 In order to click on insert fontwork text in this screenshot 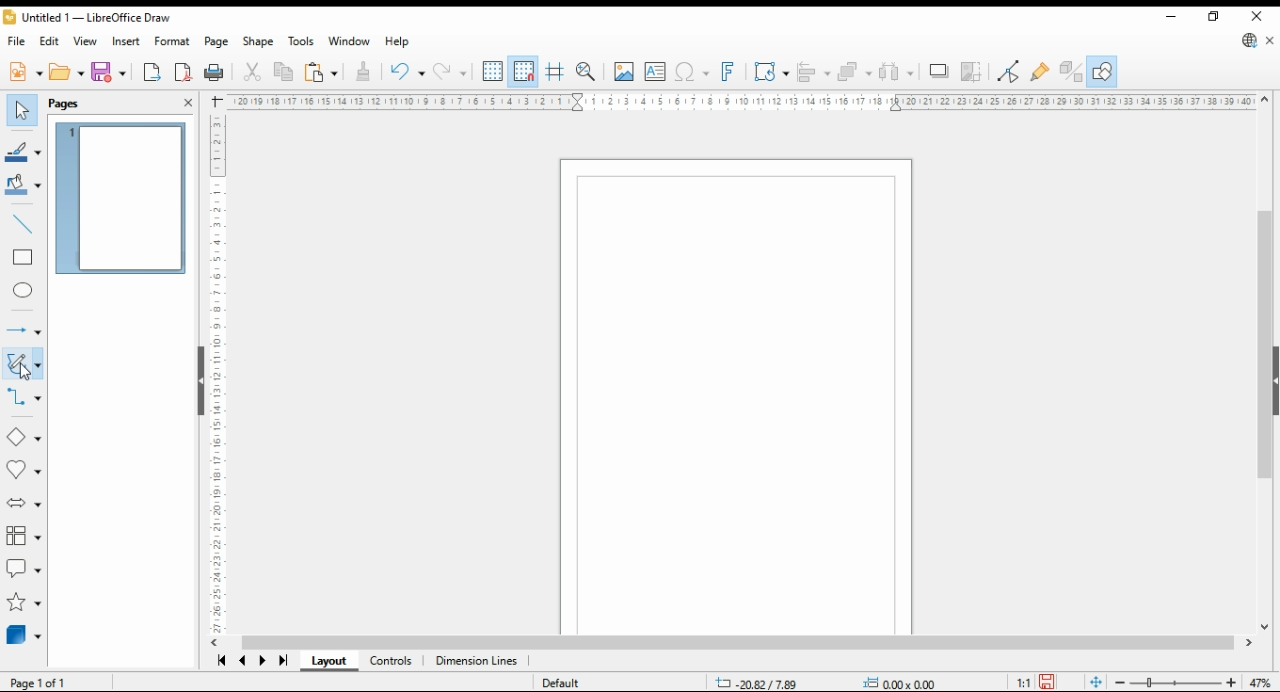, I will do `click(727, 72)`.